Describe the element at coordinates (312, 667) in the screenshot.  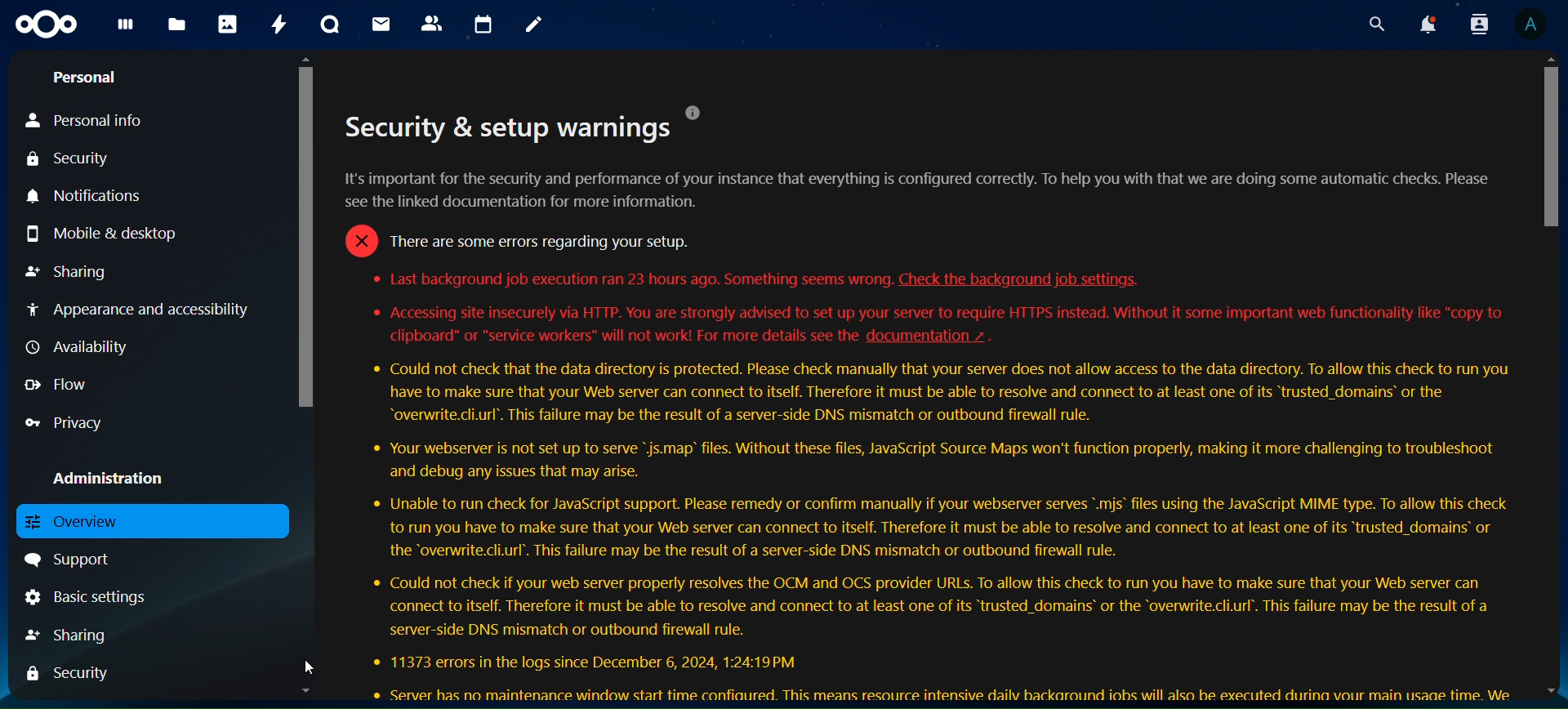
I see `Cursor` at that location.